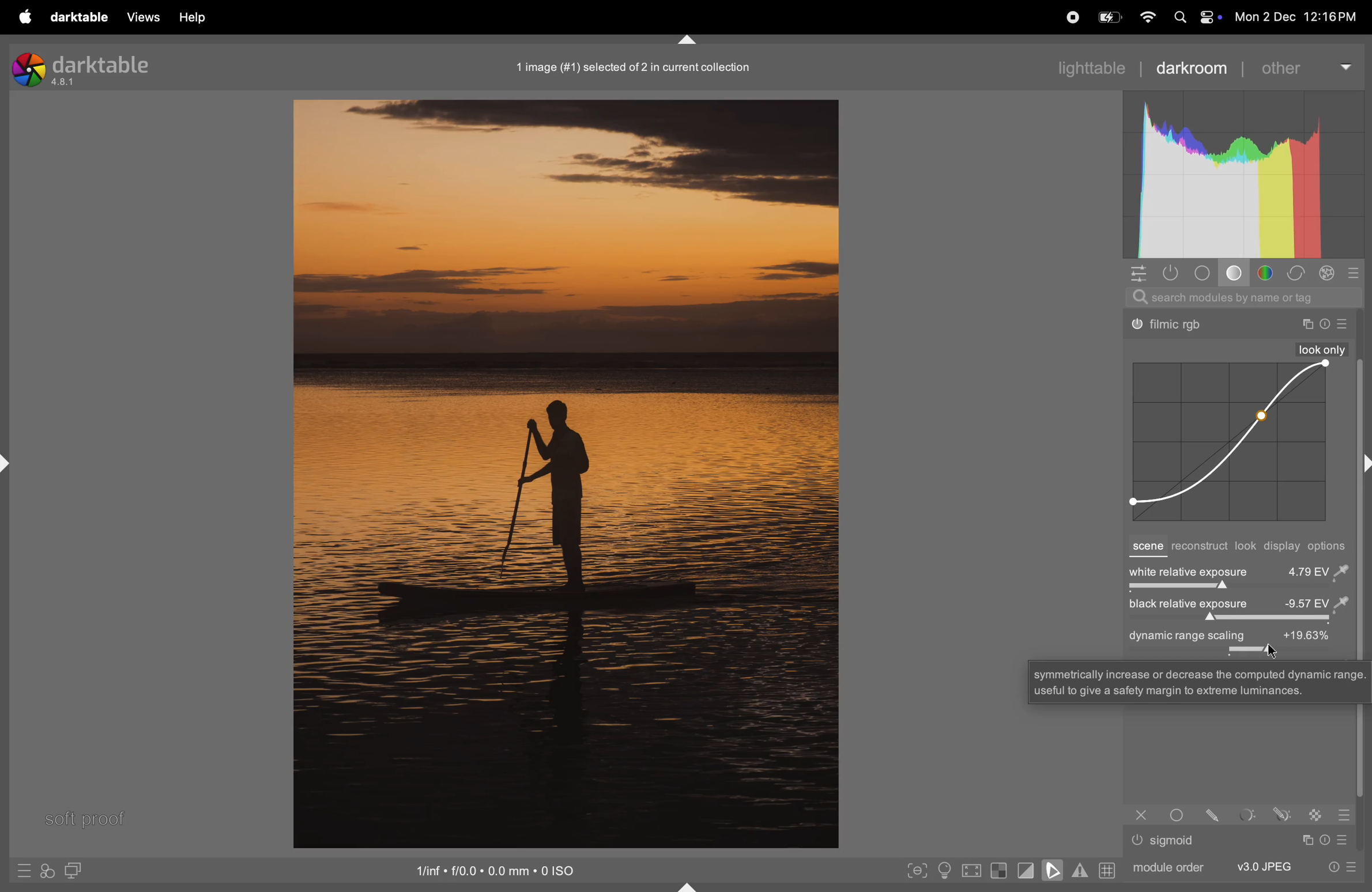  Describe the element at coordinates (1243, 297) in the screenshot. I see `searchbar` at that location.